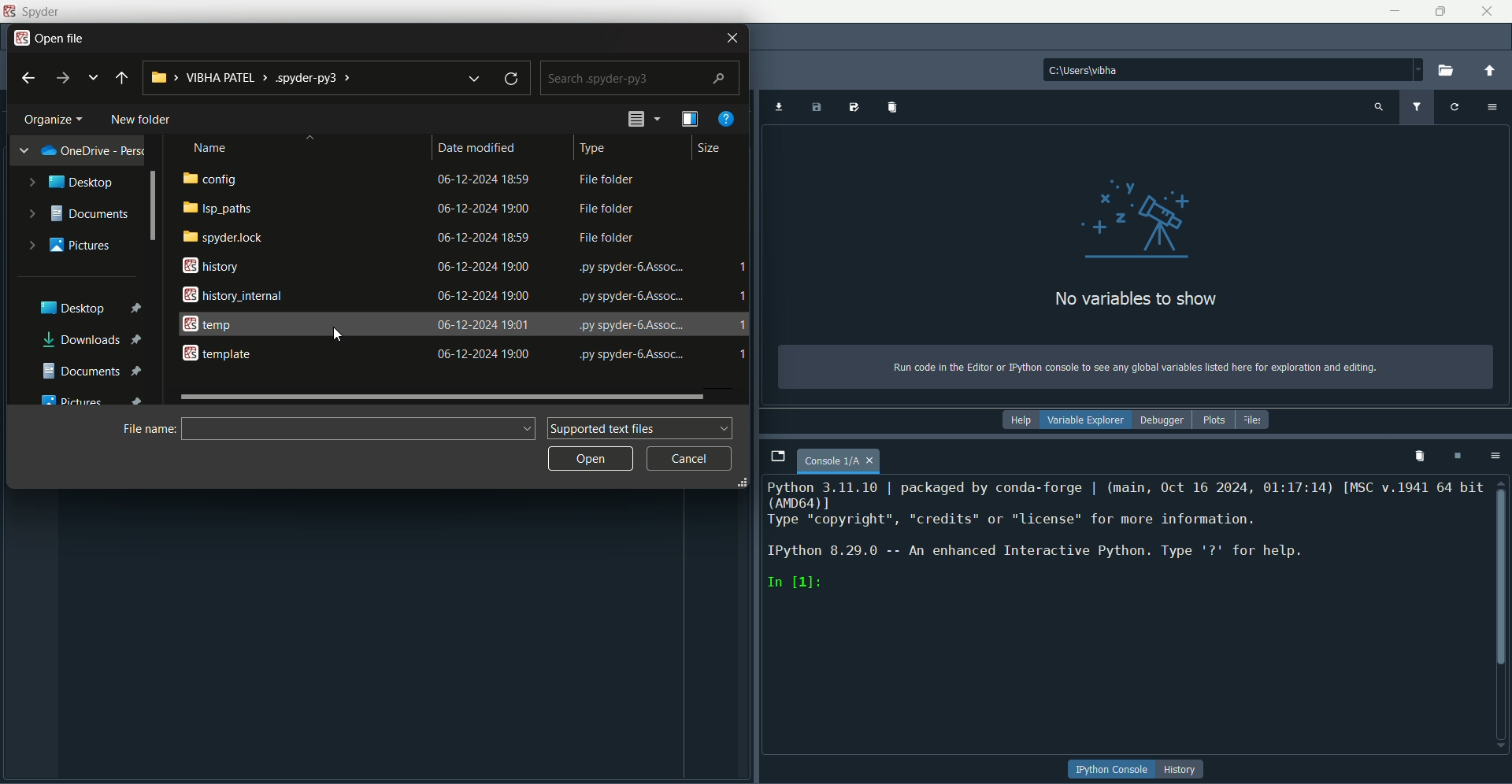  What do you see at coordinates (1377, 108) in the screenshot?
I see `search variable` at bounding box center [1377, 108].